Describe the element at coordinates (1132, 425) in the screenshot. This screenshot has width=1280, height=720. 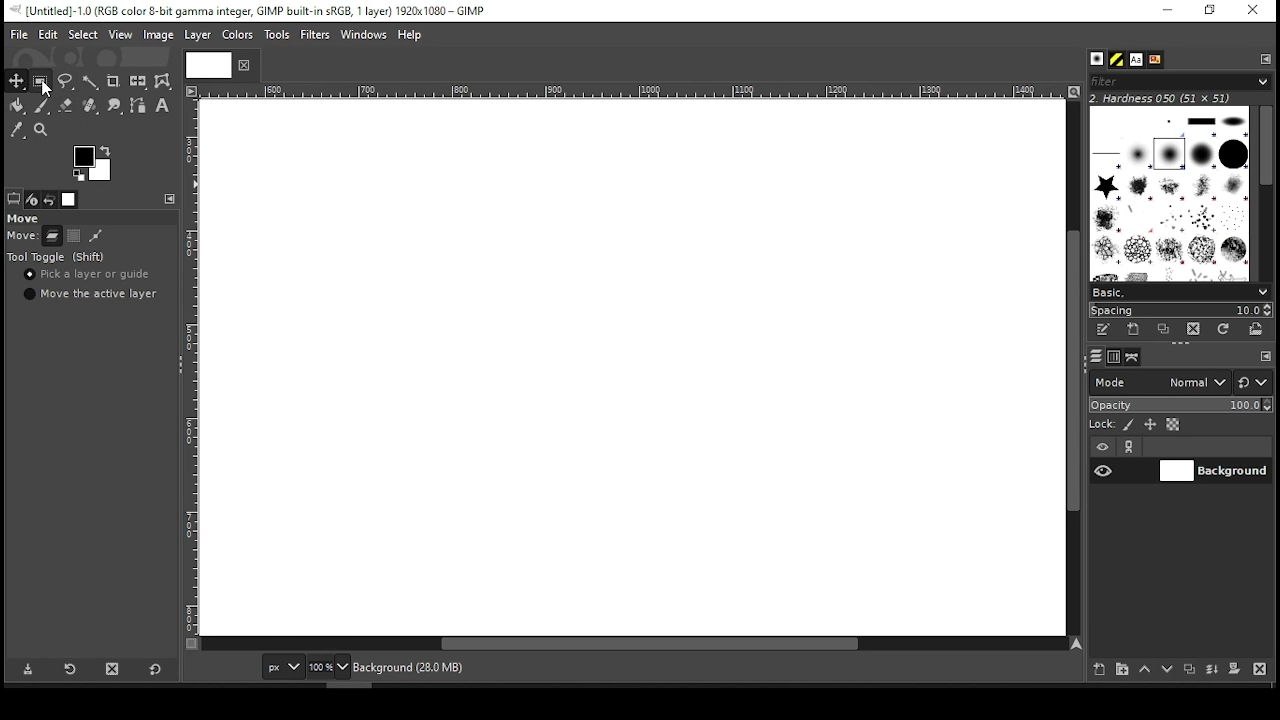
I see `lock pixels` at that location.